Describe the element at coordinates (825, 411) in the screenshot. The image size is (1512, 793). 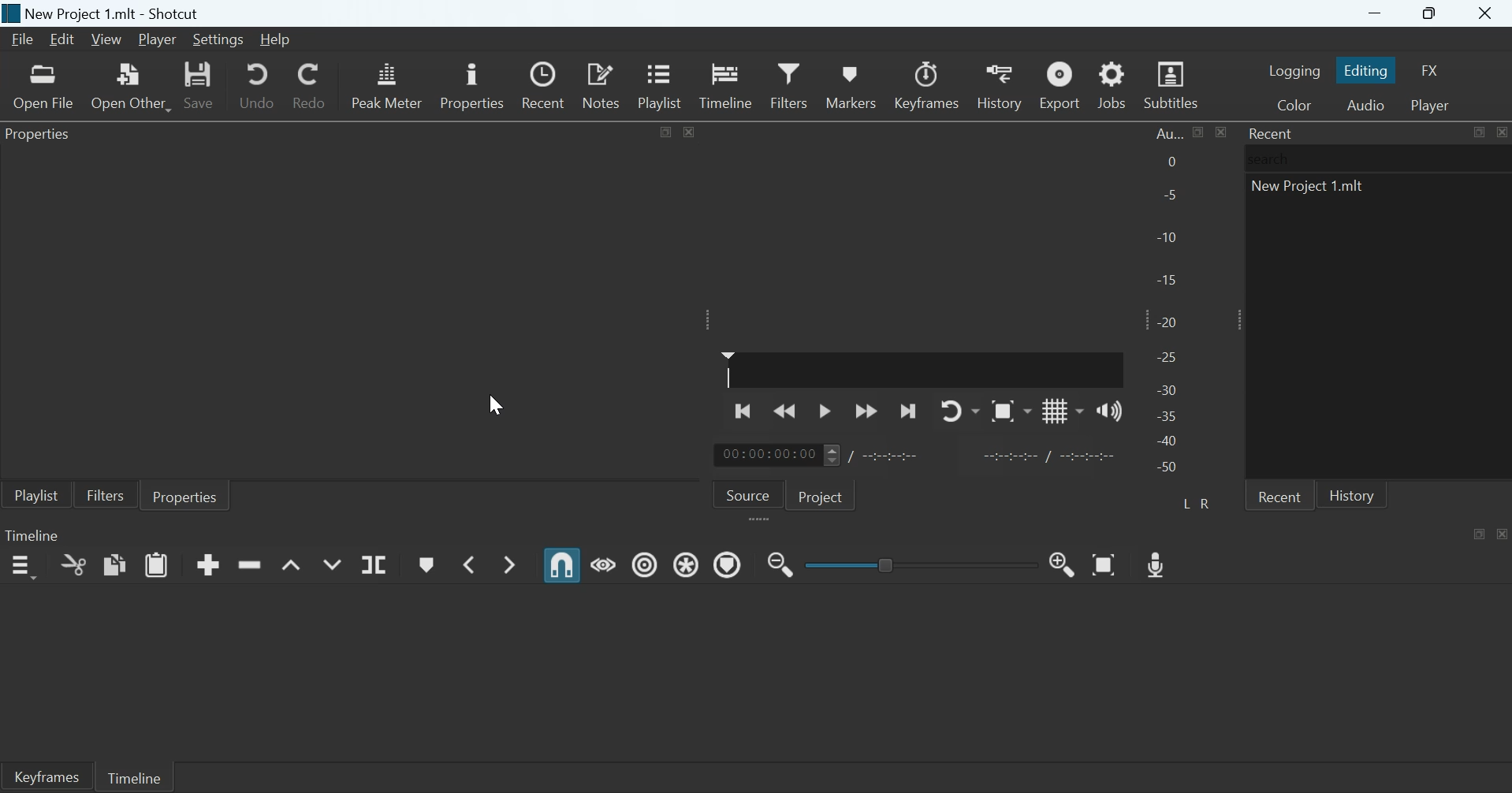
I see `Toggle play or pause` at that location.